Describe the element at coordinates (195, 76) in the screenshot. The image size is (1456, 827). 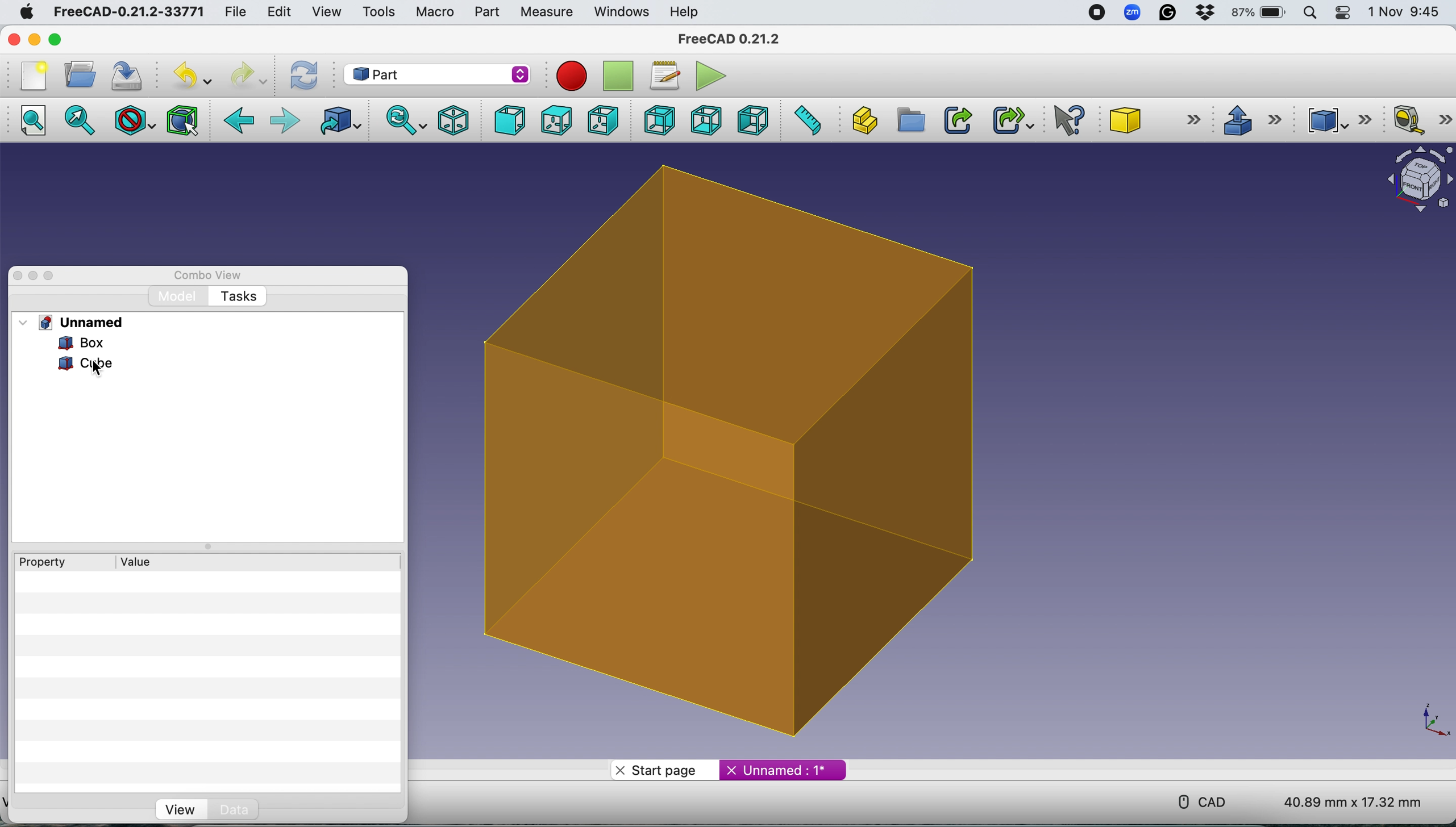
I see `Undo` at that location.